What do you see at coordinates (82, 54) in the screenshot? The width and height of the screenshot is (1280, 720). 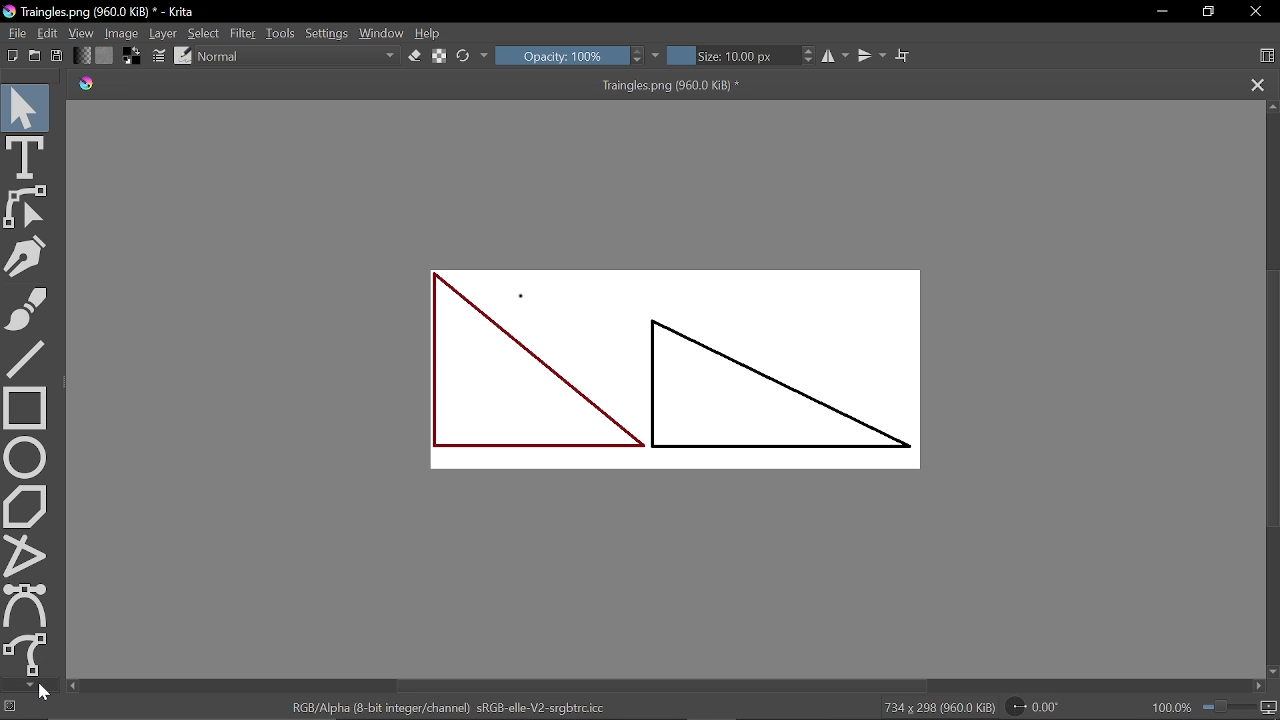 I see `Gradient fill` at bounding box center [82, 54].